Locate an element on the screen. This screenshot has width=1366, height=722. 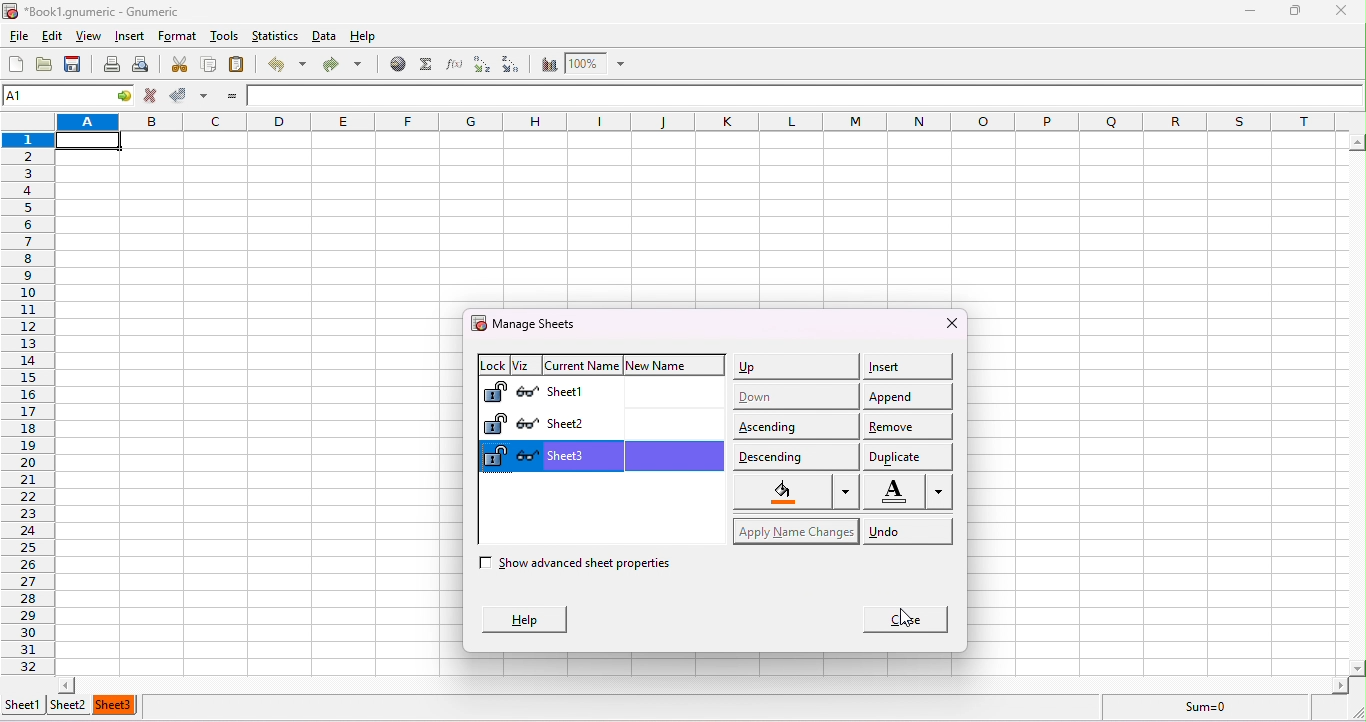
Hide sheet 1 is located at coordinates (528, 393).